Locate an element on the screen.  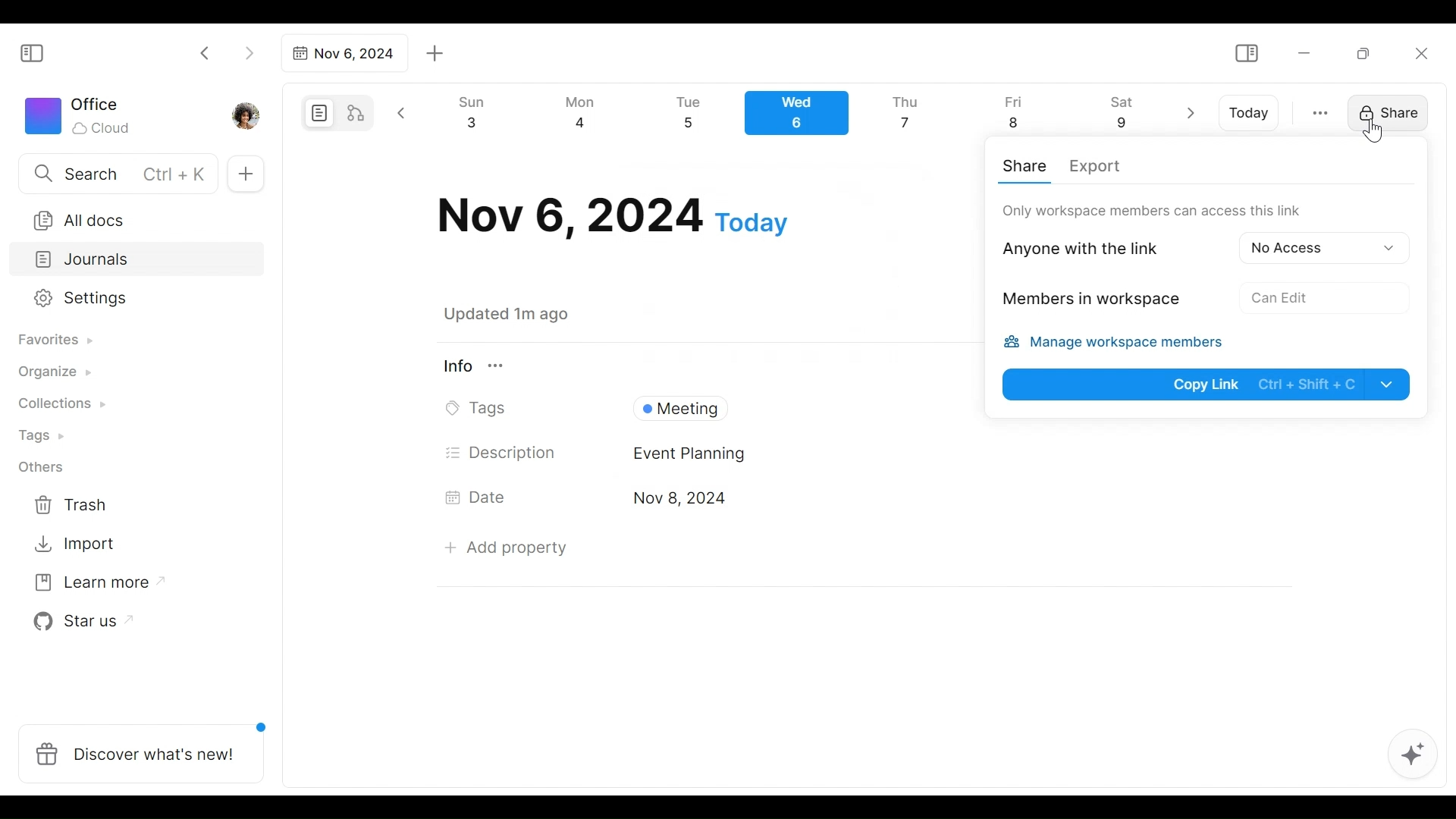
Calendar is located at coordinates (803, 117).